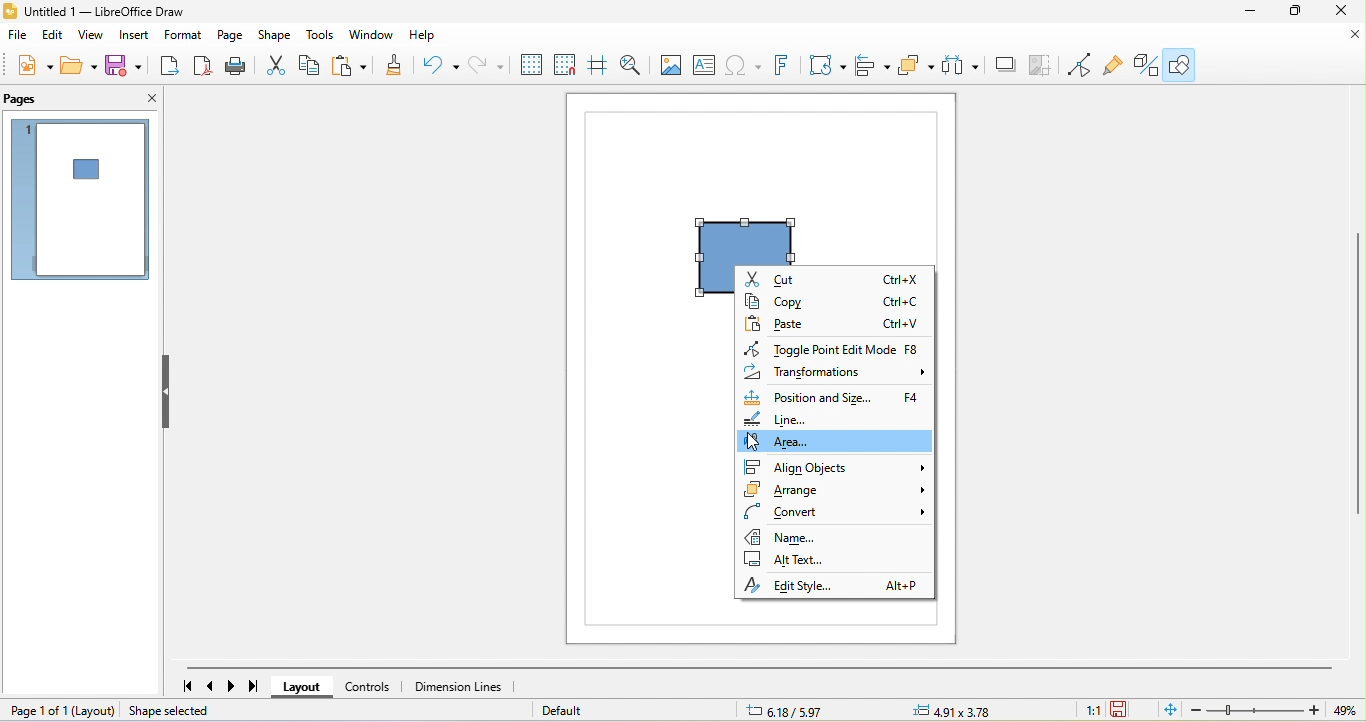 This screenshot has height=722, width=1366. Describe the element at coordinates (235, 686) in the screenshot. I see `next page` at that location.